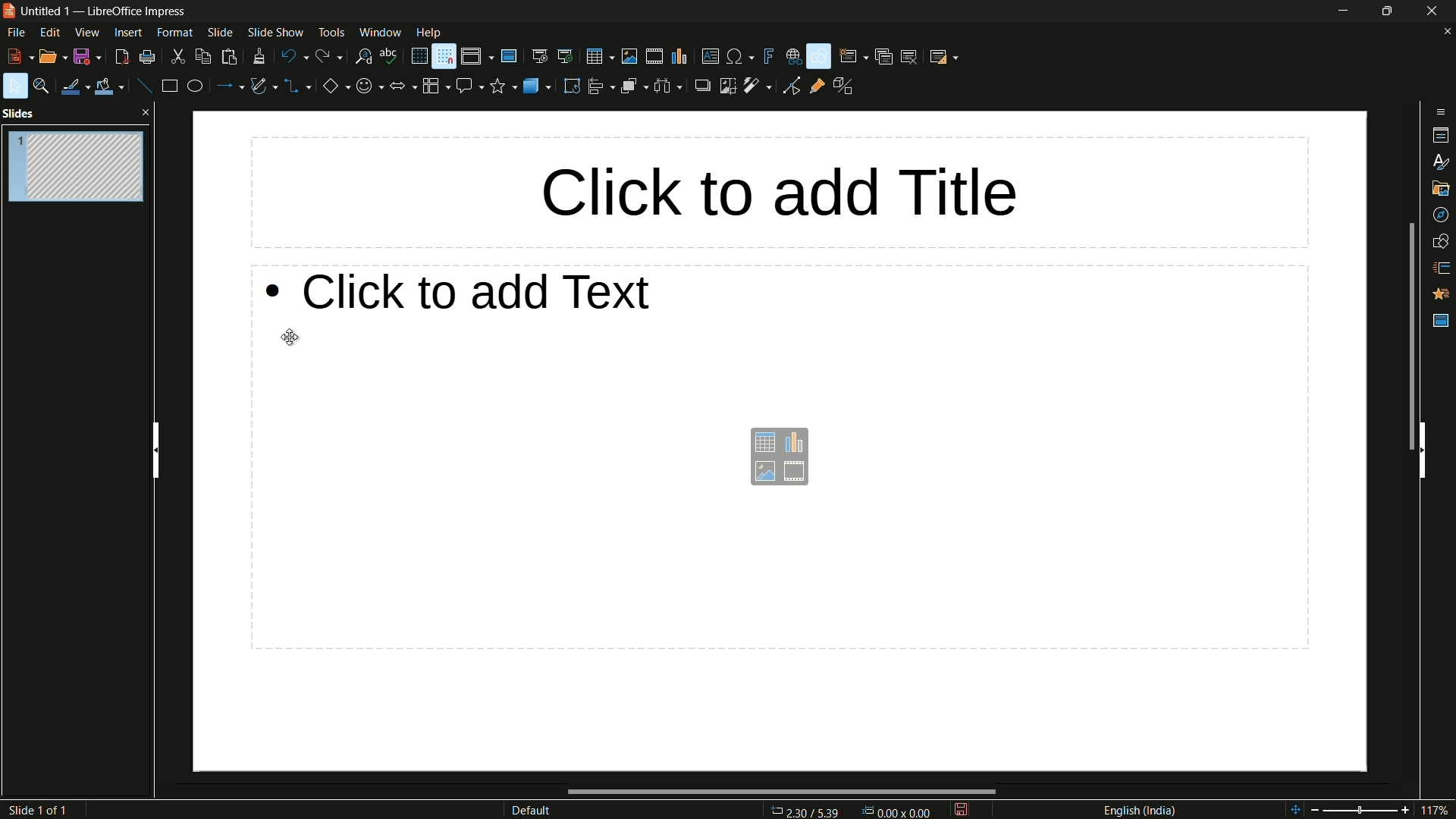  What do you see at coordinates (881, 55) in the screenshot?
I see `duplicate slide` at bounding box center [881, 55].